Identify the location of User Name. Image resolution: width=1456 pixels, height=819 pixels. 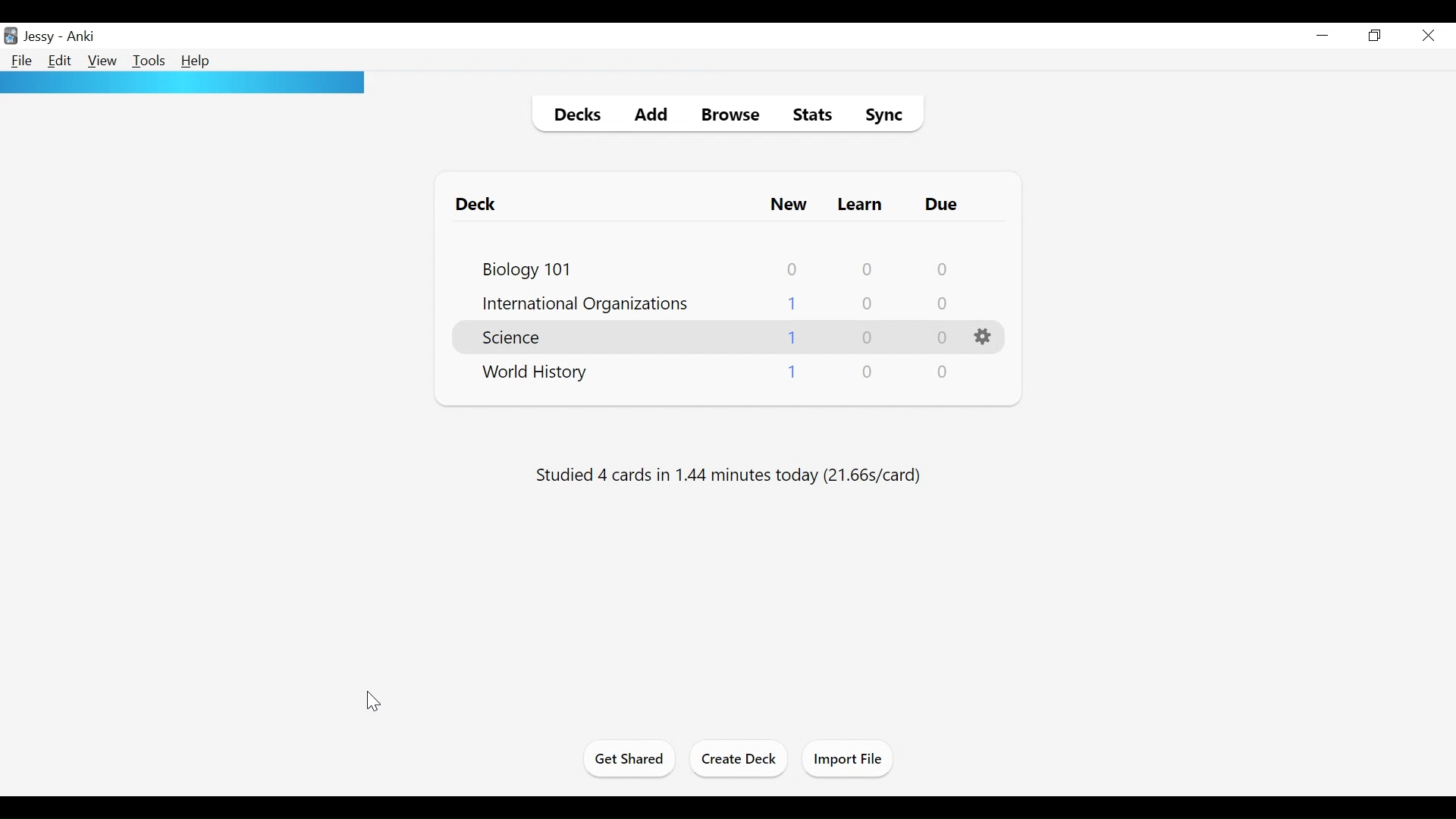
(42, 36).